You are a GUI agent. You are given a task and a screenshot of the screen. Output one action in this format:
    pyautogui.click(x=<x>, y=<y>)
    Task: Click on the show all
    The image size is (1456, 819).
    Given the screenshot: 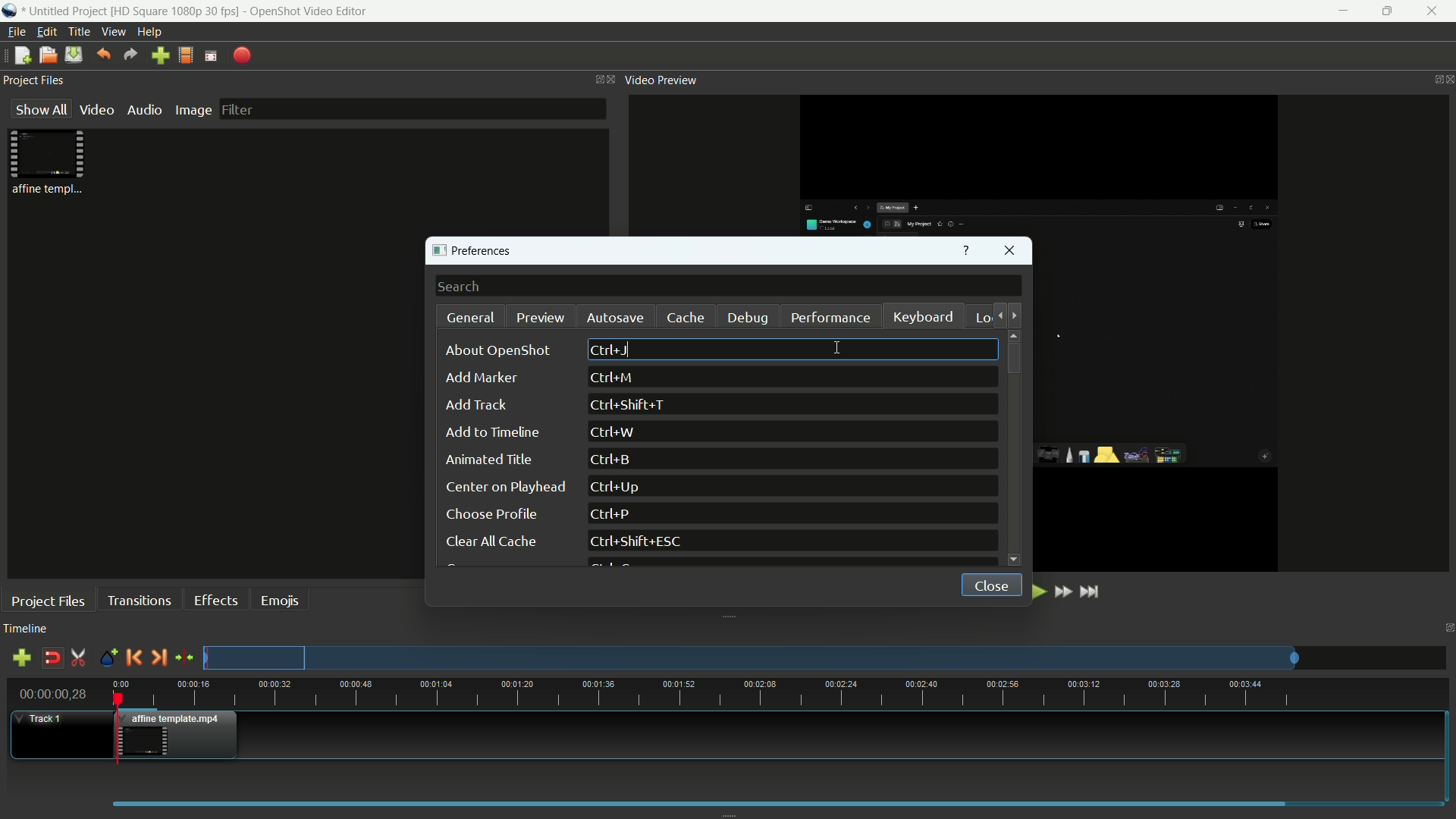 What is the action you would take?
    pyautogui.click(x=38, y=110)
    